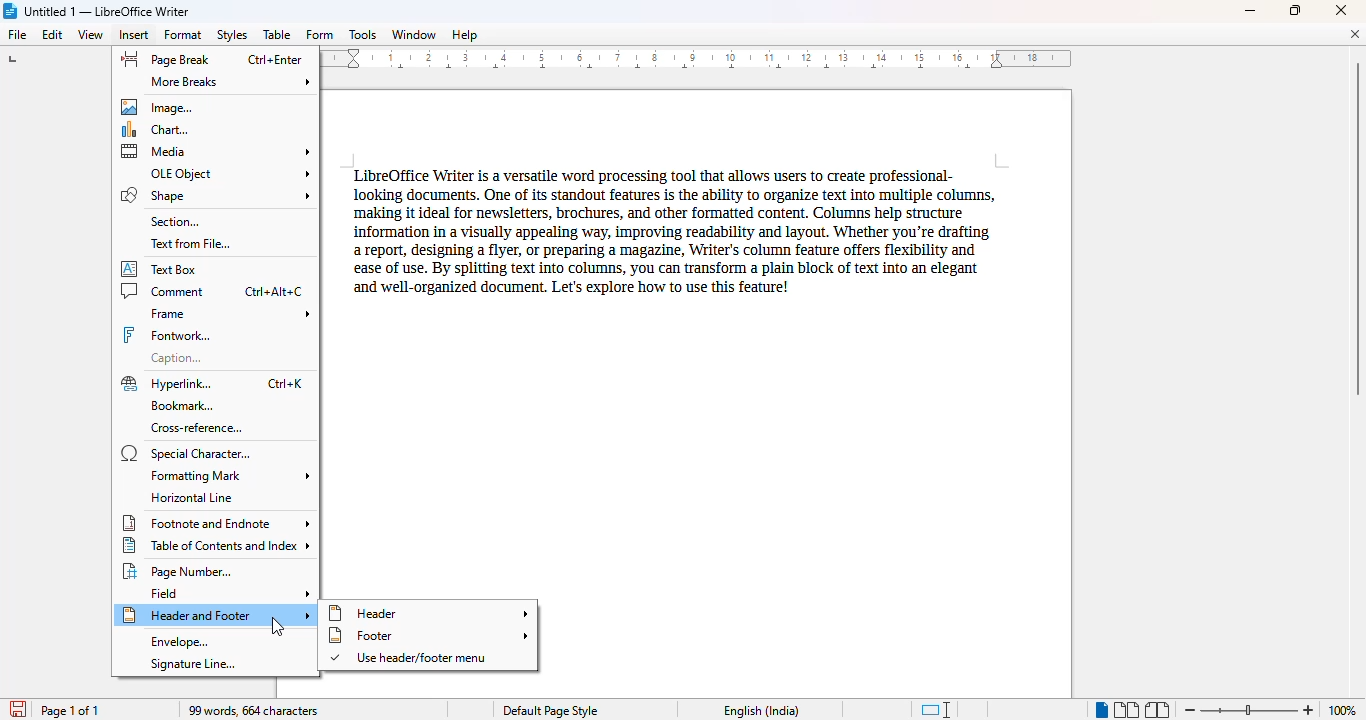 Image resolution: width=1366 pixels, height=720 pixels. What do you see at coordinates (231, 82) in the screenshot?
I see `more breaks` at bounding box center [231, 82].